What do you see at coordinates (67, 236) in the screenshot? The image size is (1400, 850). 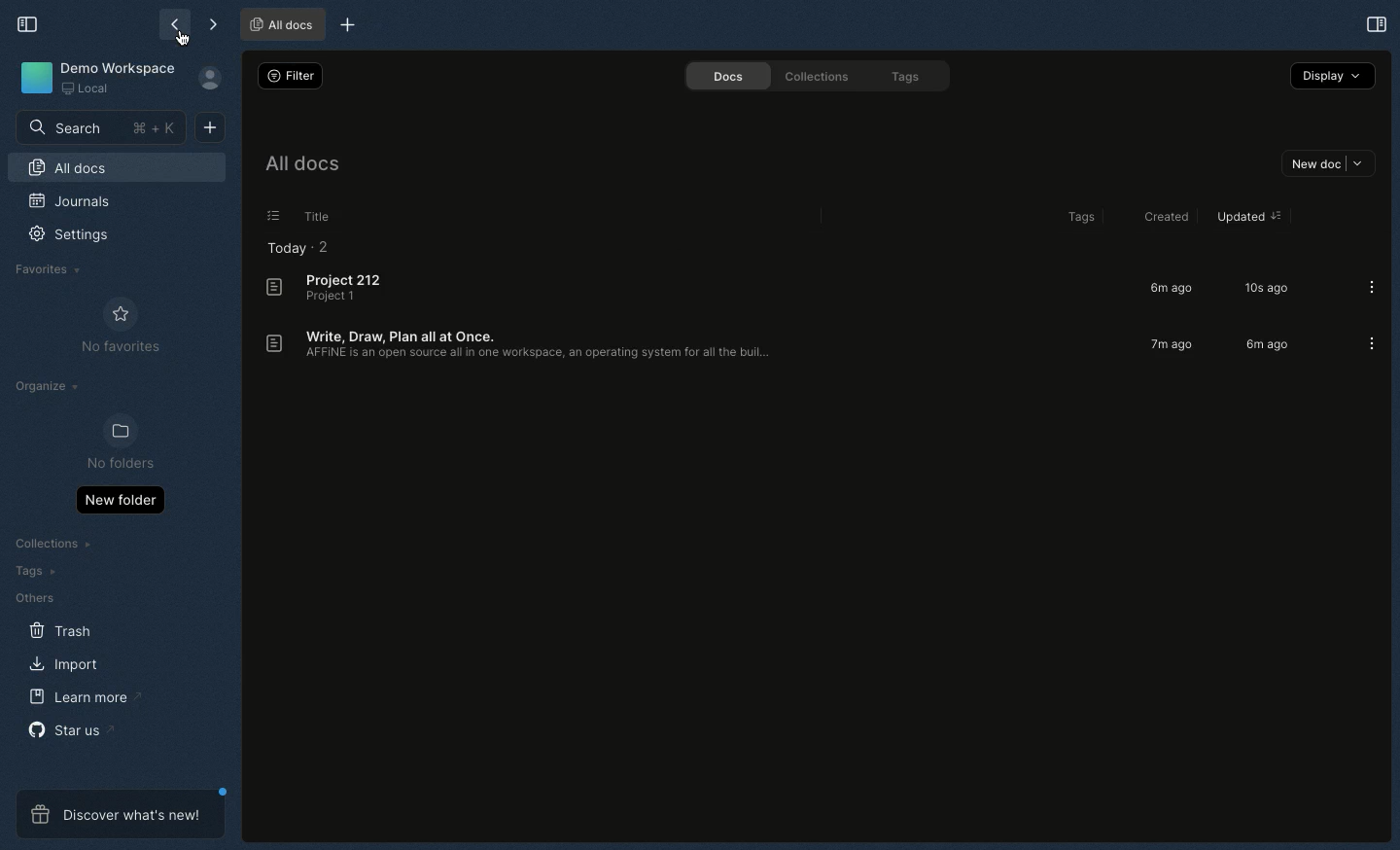 I see `Settings` at bounding box center [67, 236].